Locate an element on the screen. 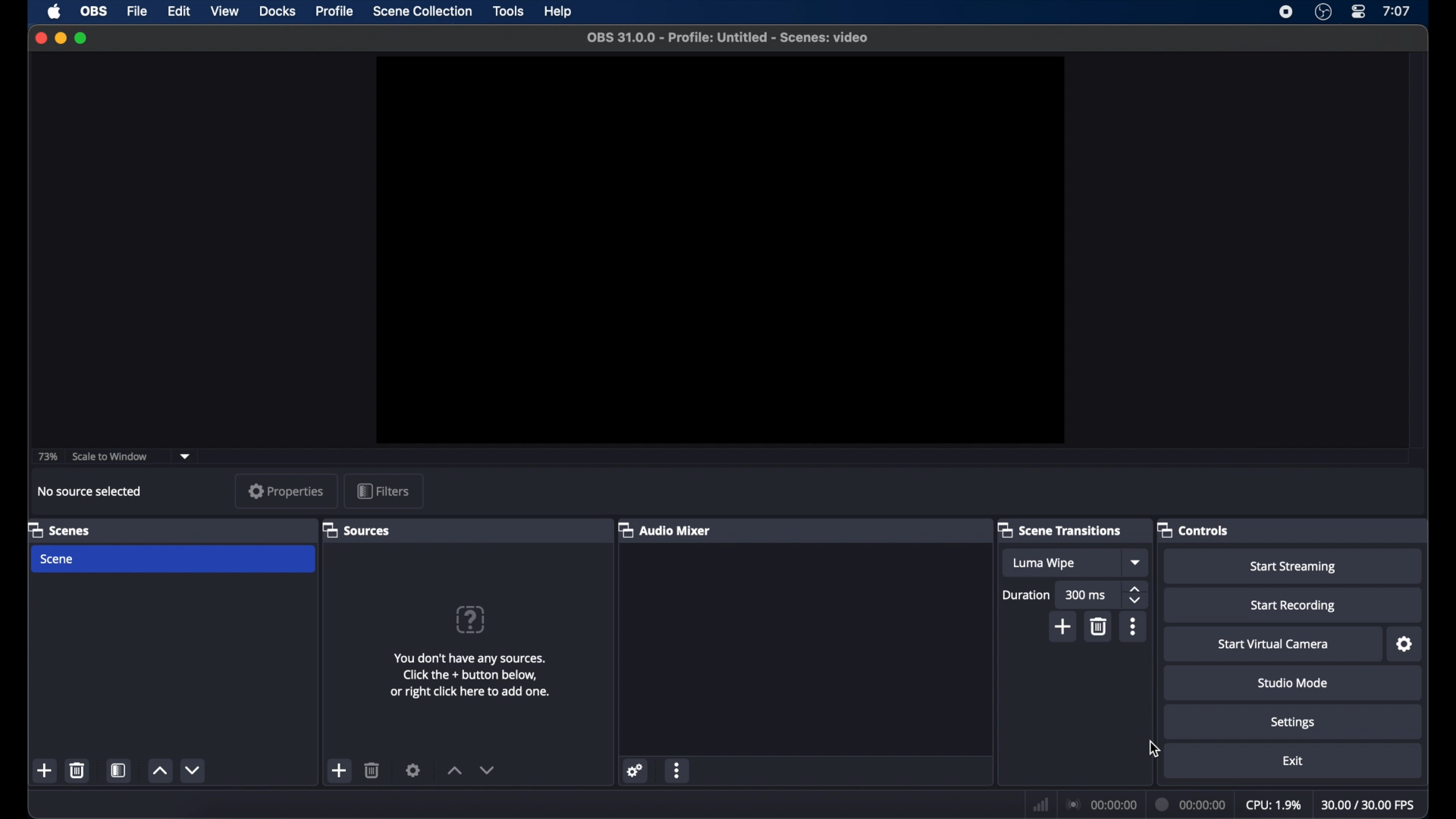 Image resolution: width=1456 pixels, height=819 pixels. fps is located at coordinates (1369, 805).